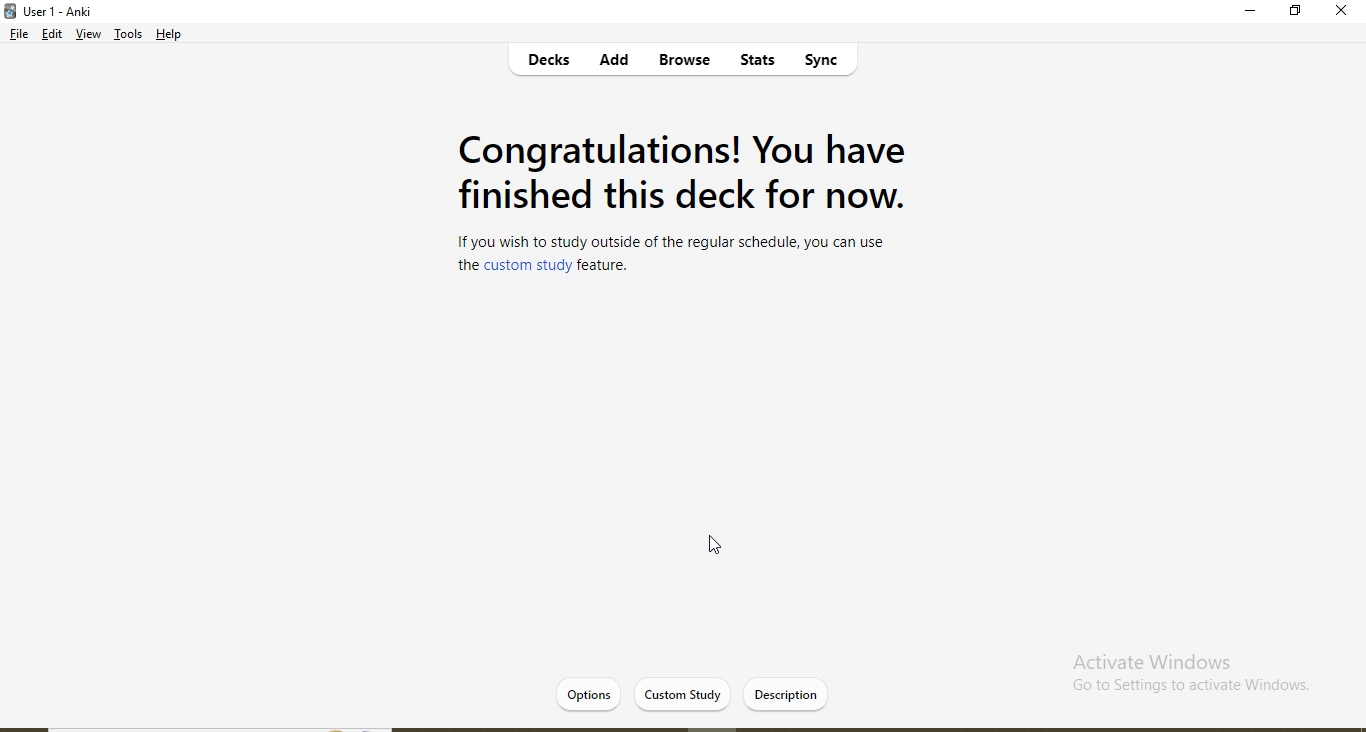  Describe the element at coordinates (722, 549) in the screenshot. I see `cursor` at that location.